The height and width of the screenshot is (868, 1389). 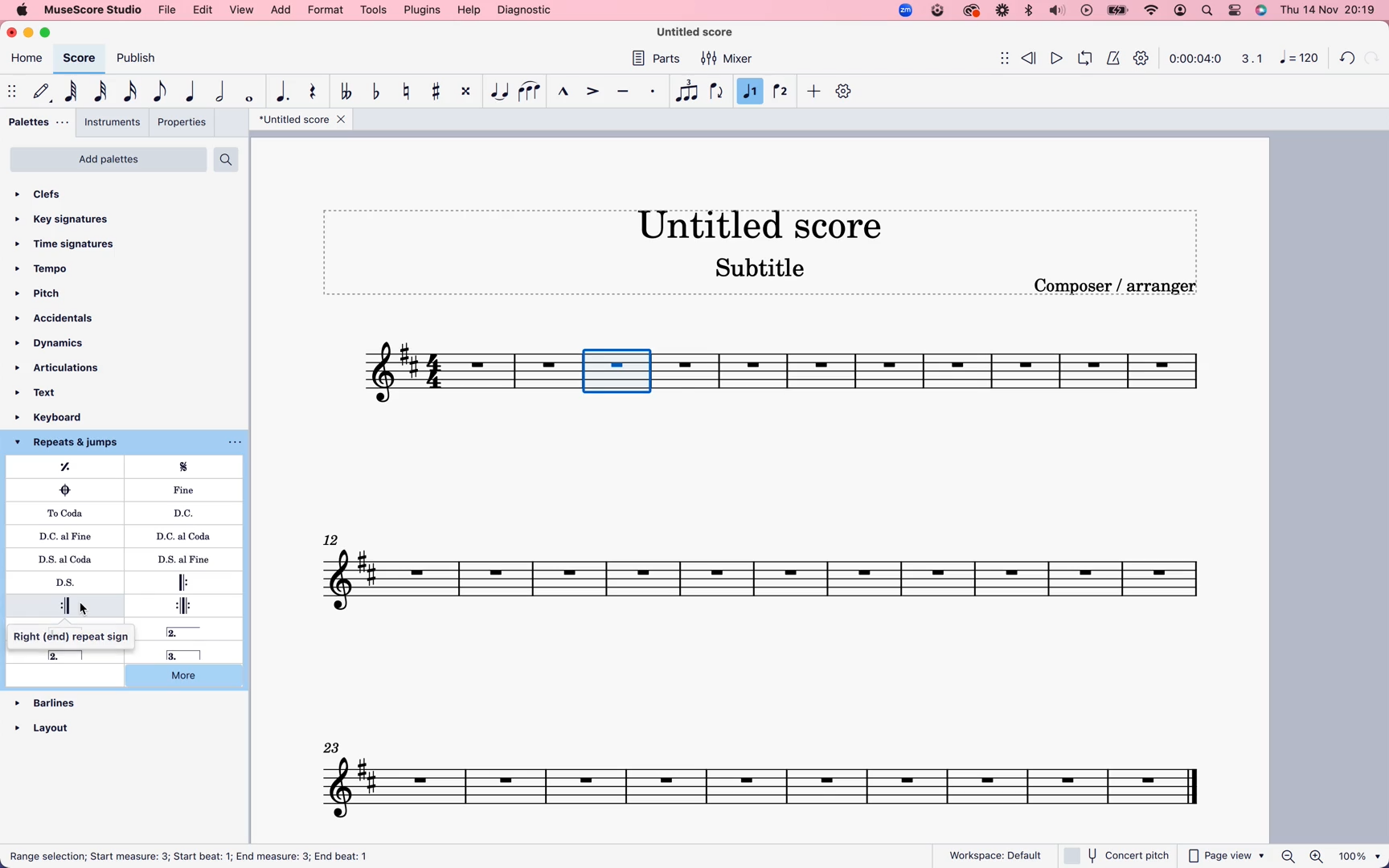 I want to click on Staccato , so click(x=654, y=91).